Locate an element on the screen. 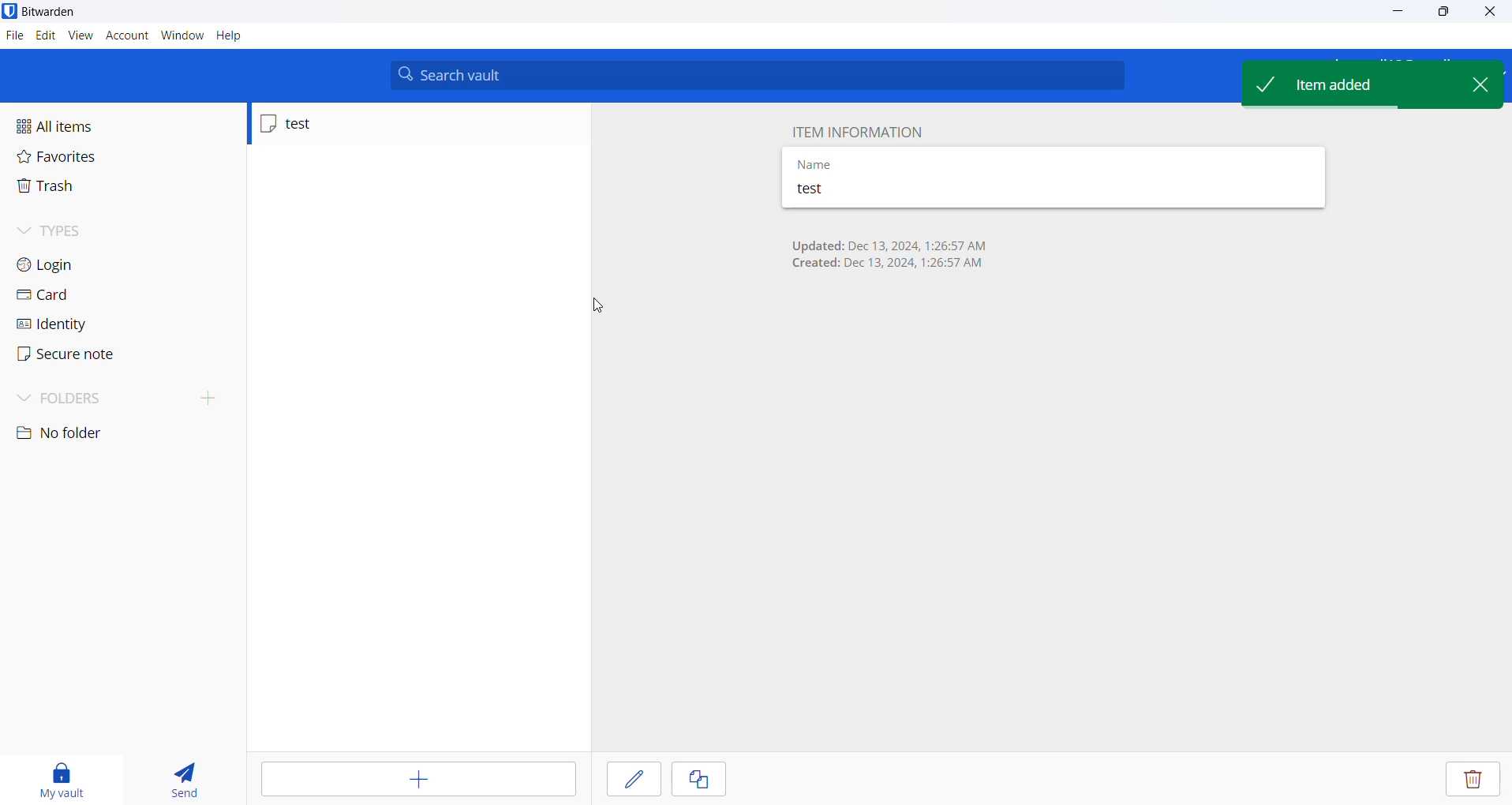  search bar is located at coordinates (757, 75).